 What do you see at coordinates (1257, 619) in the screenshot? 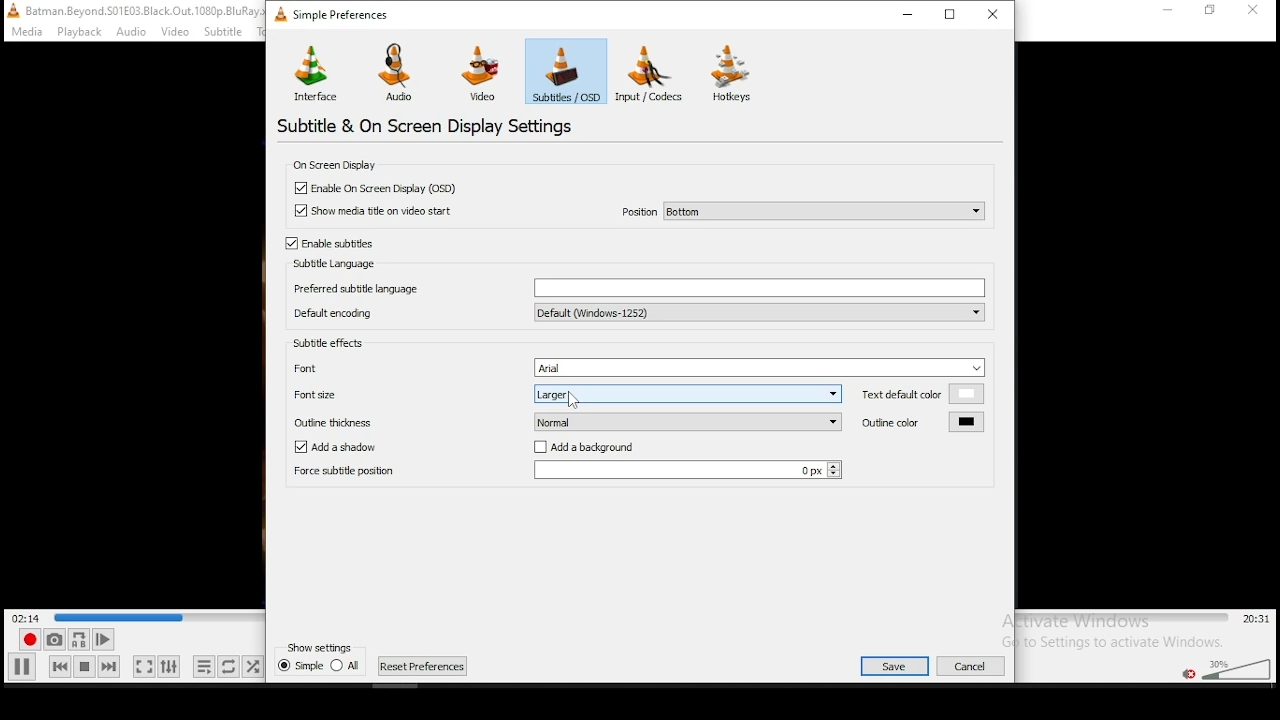
I see `remaining/total time` at bounding box center [1257, 619].